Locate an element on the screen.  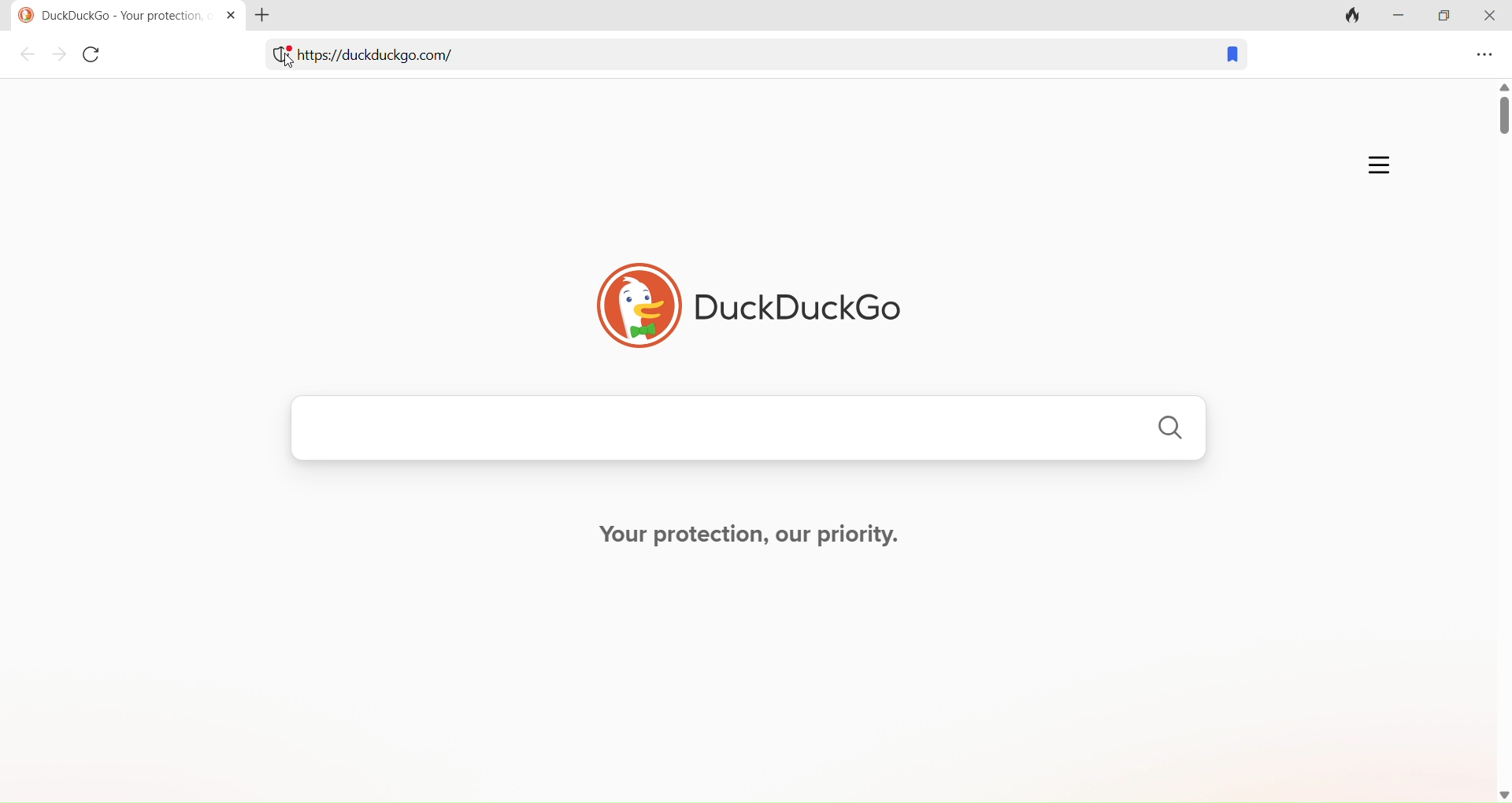
close tab is located at coordinates (228, 14).